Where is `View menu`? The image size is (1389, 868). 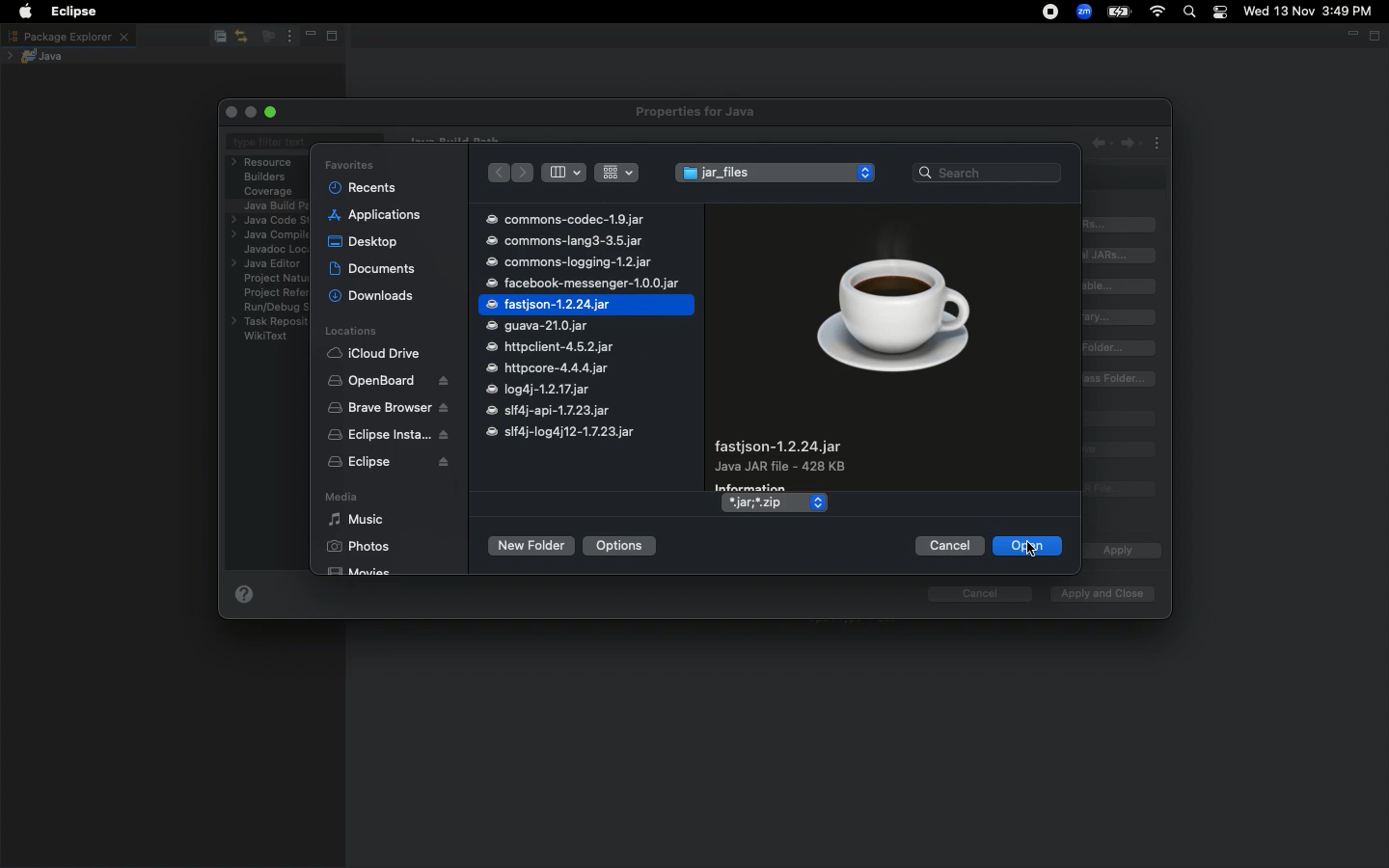
View menu is located at coordinates (287, 37).